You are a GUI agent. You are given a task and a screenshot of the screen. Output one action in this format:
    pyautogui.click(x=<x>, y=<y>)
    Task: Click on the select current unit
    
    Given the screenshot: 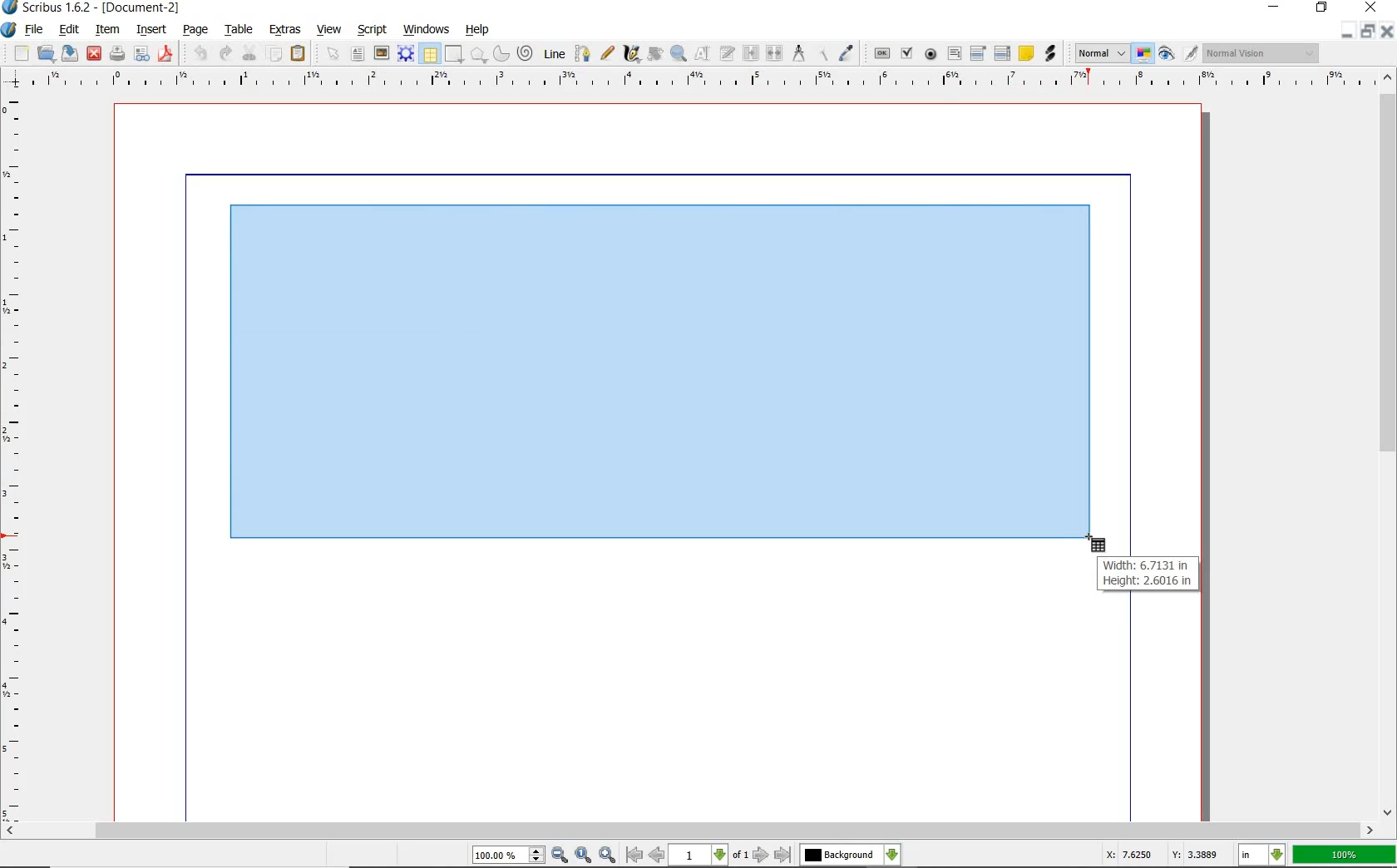 What is the action you would take?
    pyautogui.click(x=1264, y=856)
    